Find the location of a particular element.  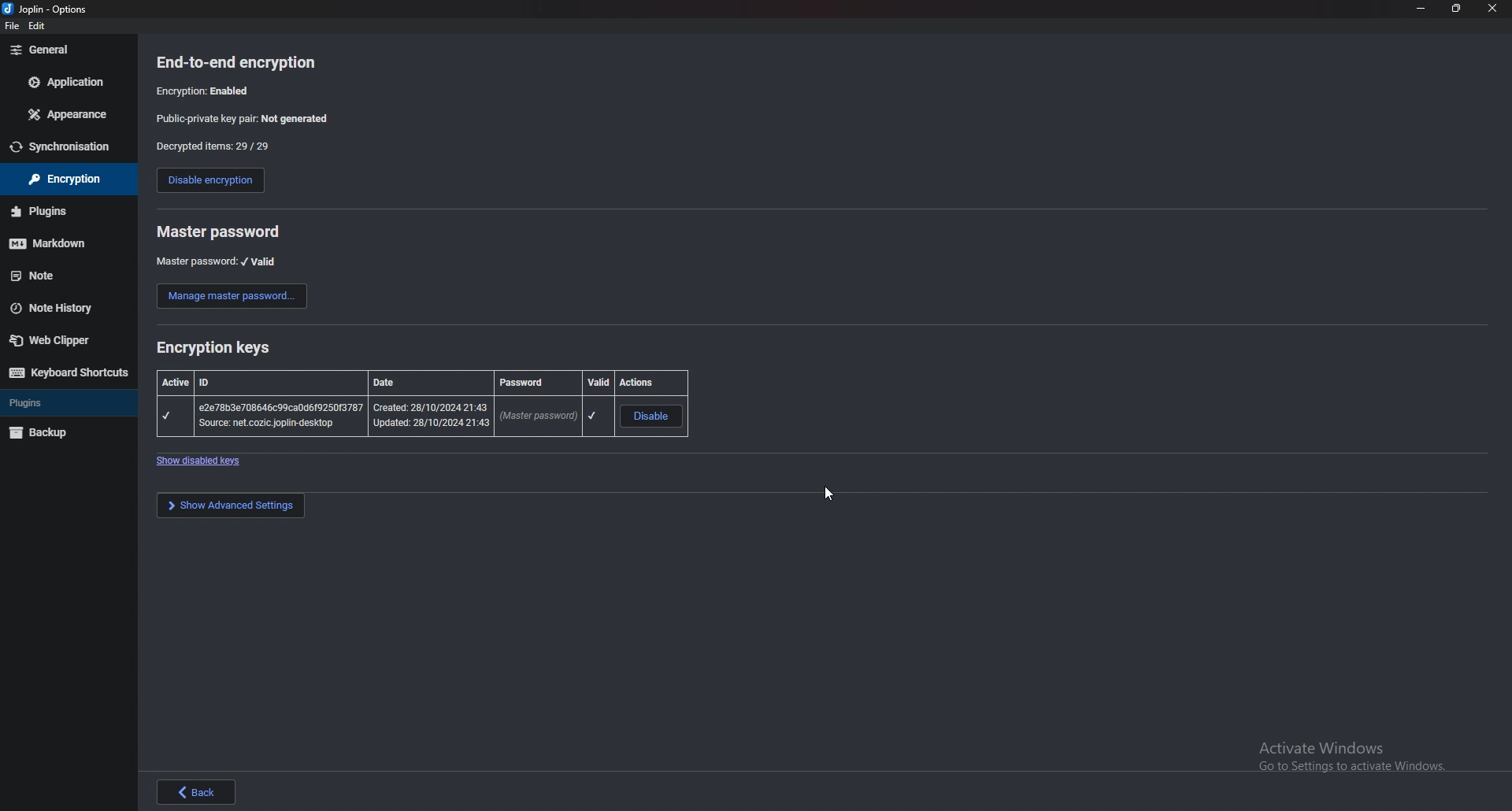

 is located at coordinates (1455, 10).